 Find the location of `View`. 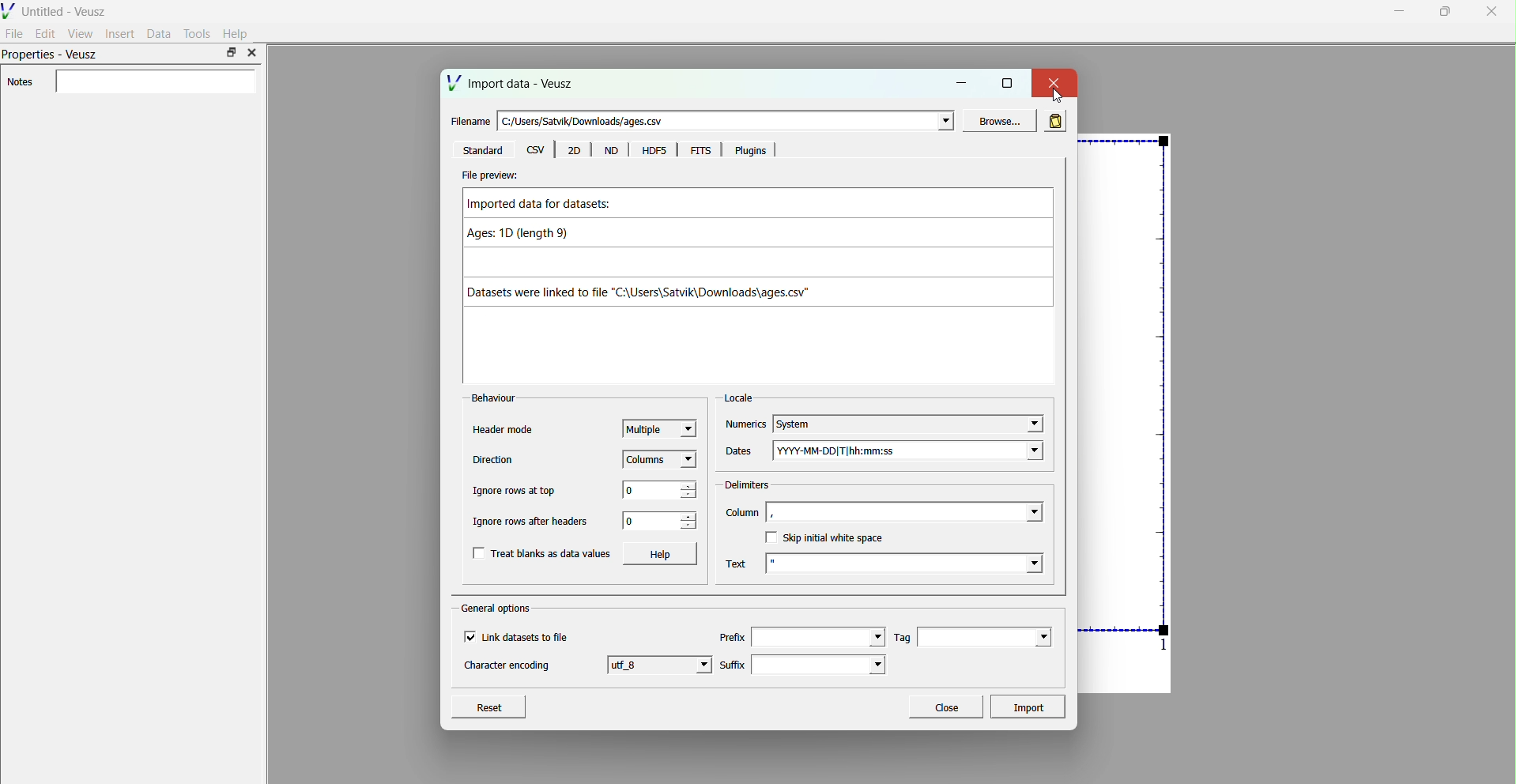

View is located at coordinates (80, 33).